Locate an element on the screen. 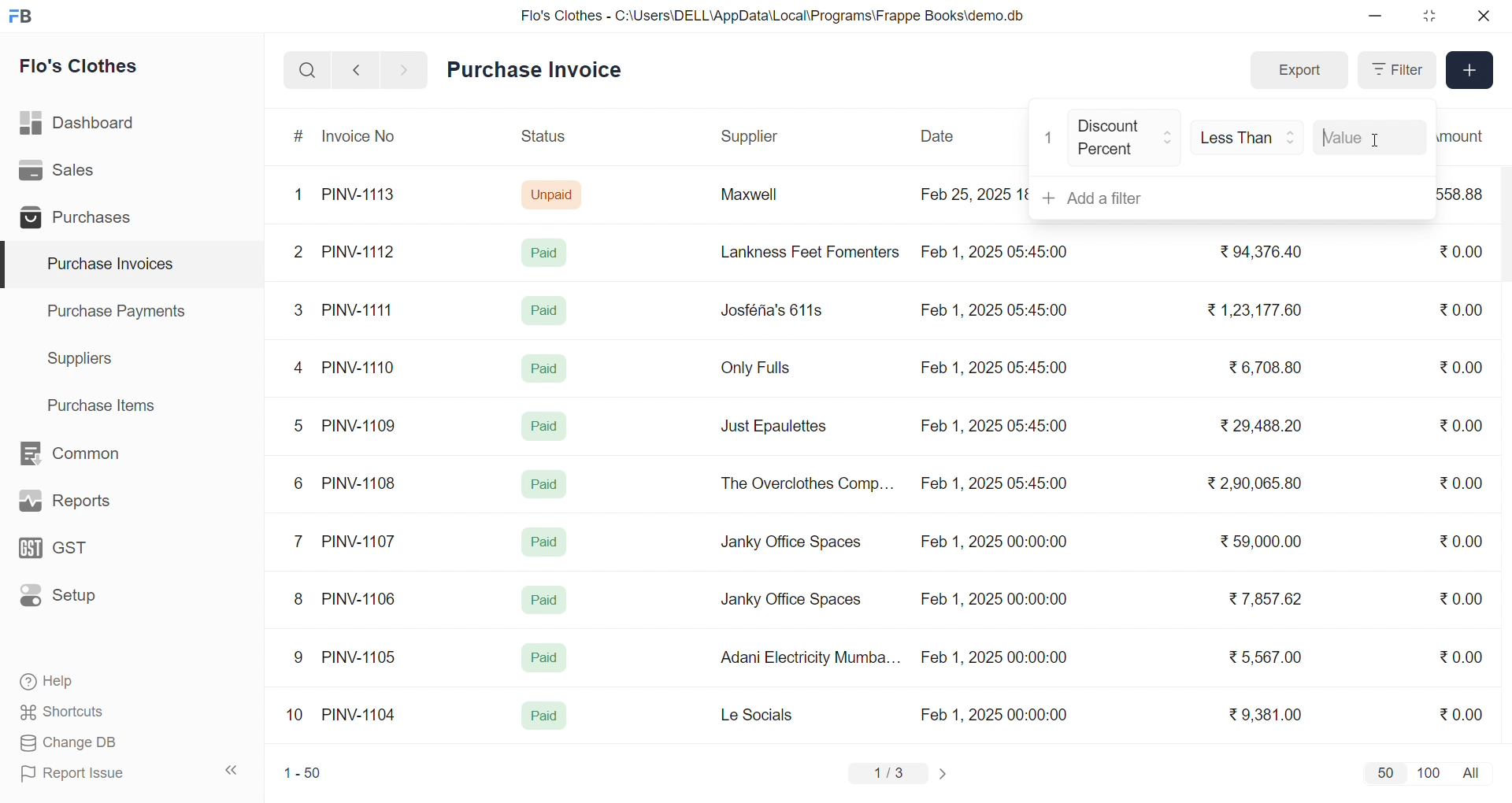 The image size is (1512, 803). Filter is located at coordinates (1395, 70).